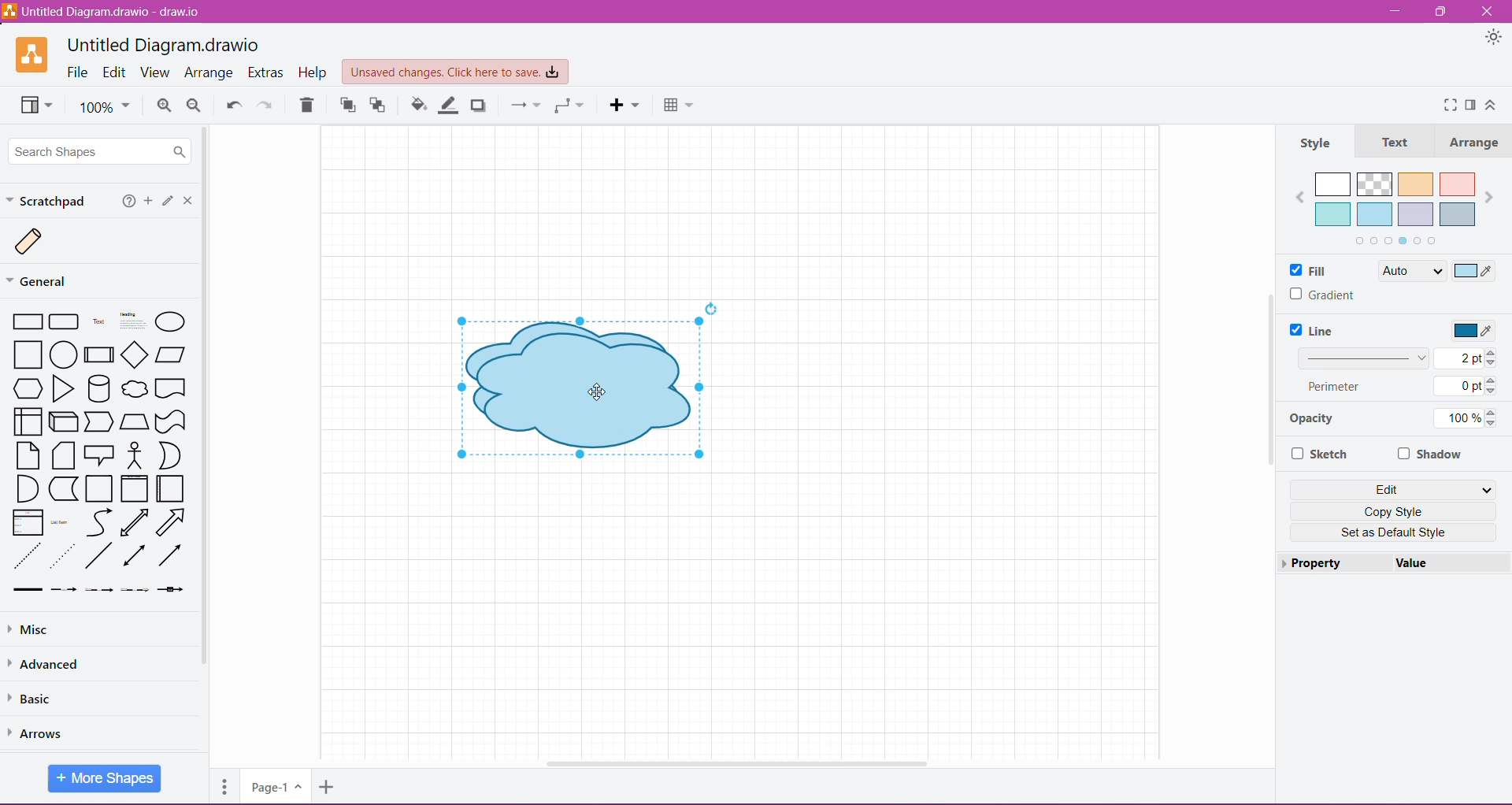  What do you see at coordinates (154, 72) in the screenshot?
I see `View` at bounding box center [154, 72].